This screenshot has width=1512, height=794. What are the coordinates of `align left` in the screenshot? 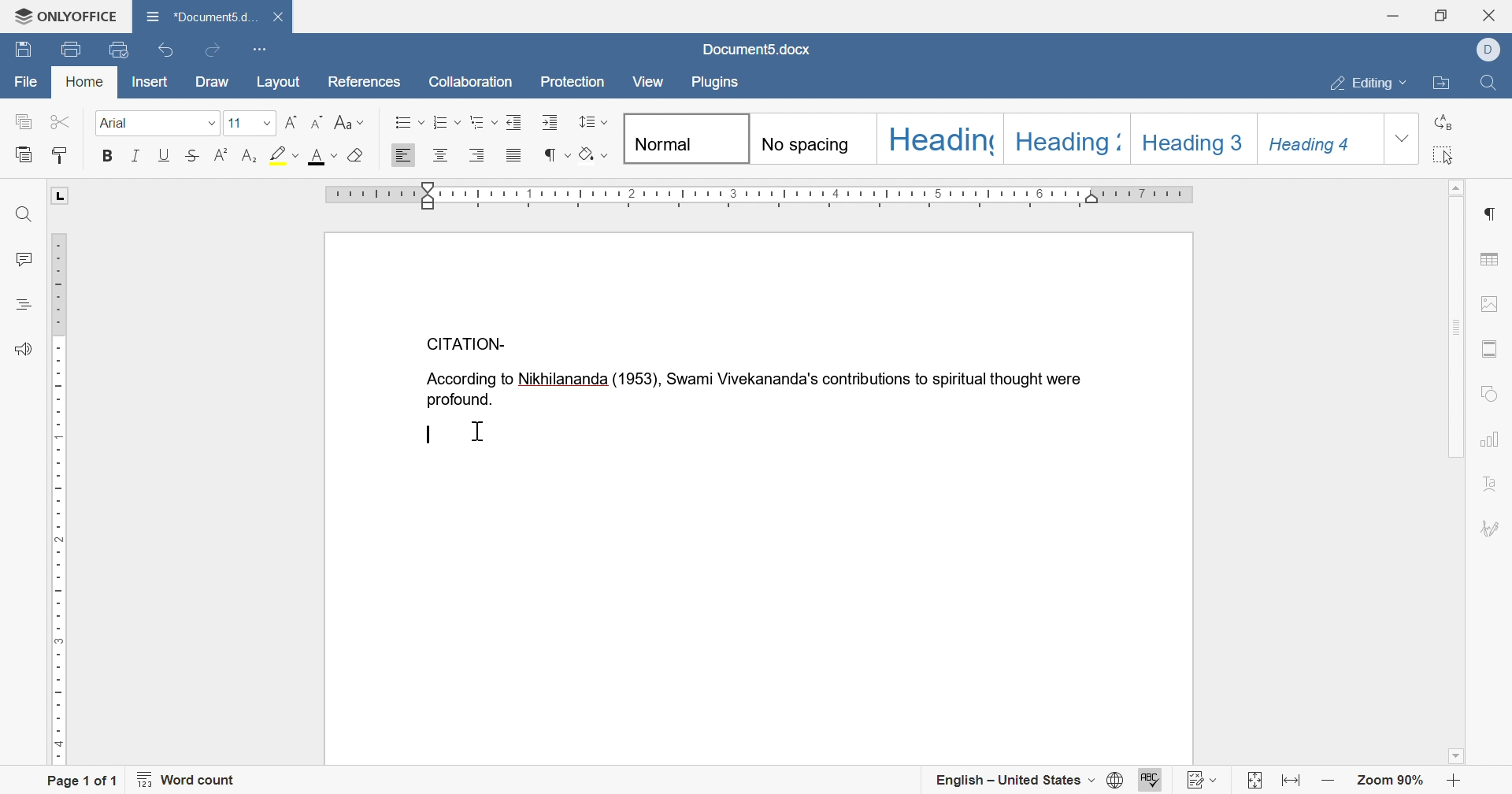 It's located at (402, 156).